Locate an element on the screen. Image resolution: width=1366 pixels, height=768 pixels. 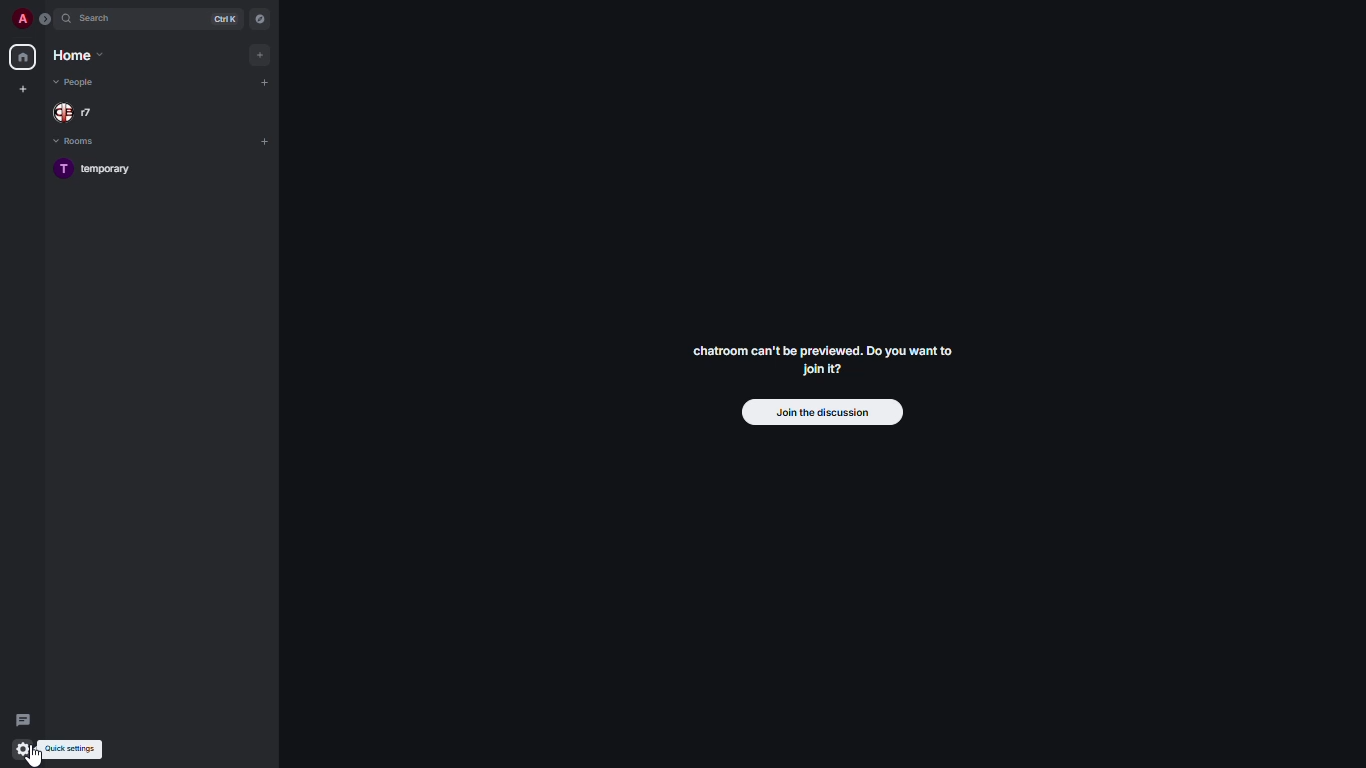
home is located at coordinates (81, 55).